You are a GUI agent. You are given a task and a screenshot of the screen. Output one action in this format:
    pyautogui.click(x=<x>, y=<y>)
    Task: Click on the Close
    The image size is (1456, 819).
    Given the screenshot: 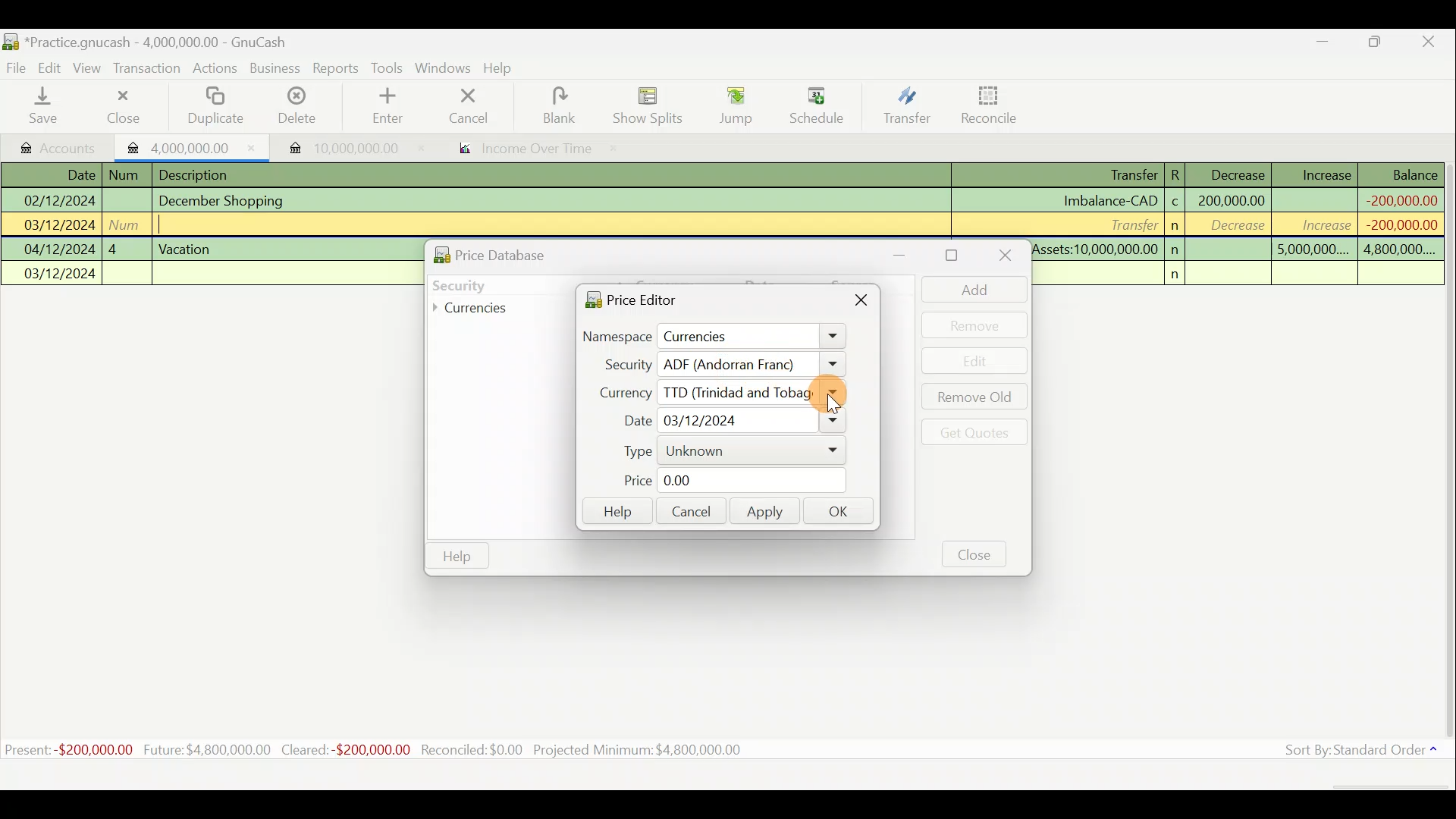 What is the action you would take?
    pyautogui.click(x=1003, y=257)
    